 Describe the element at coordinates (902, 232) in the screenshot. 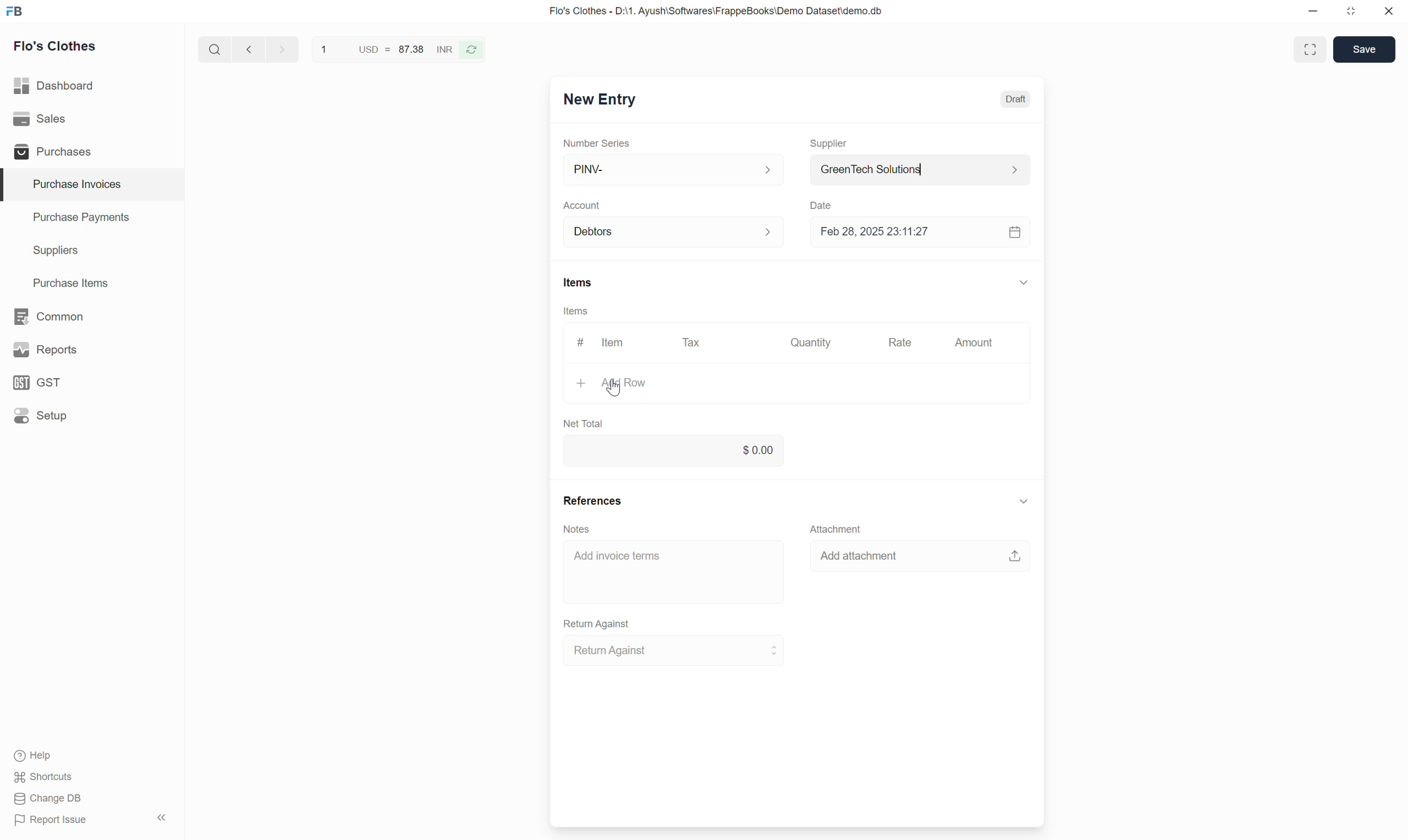

I see `Feb 28, 2025 23:11:27` at that location.